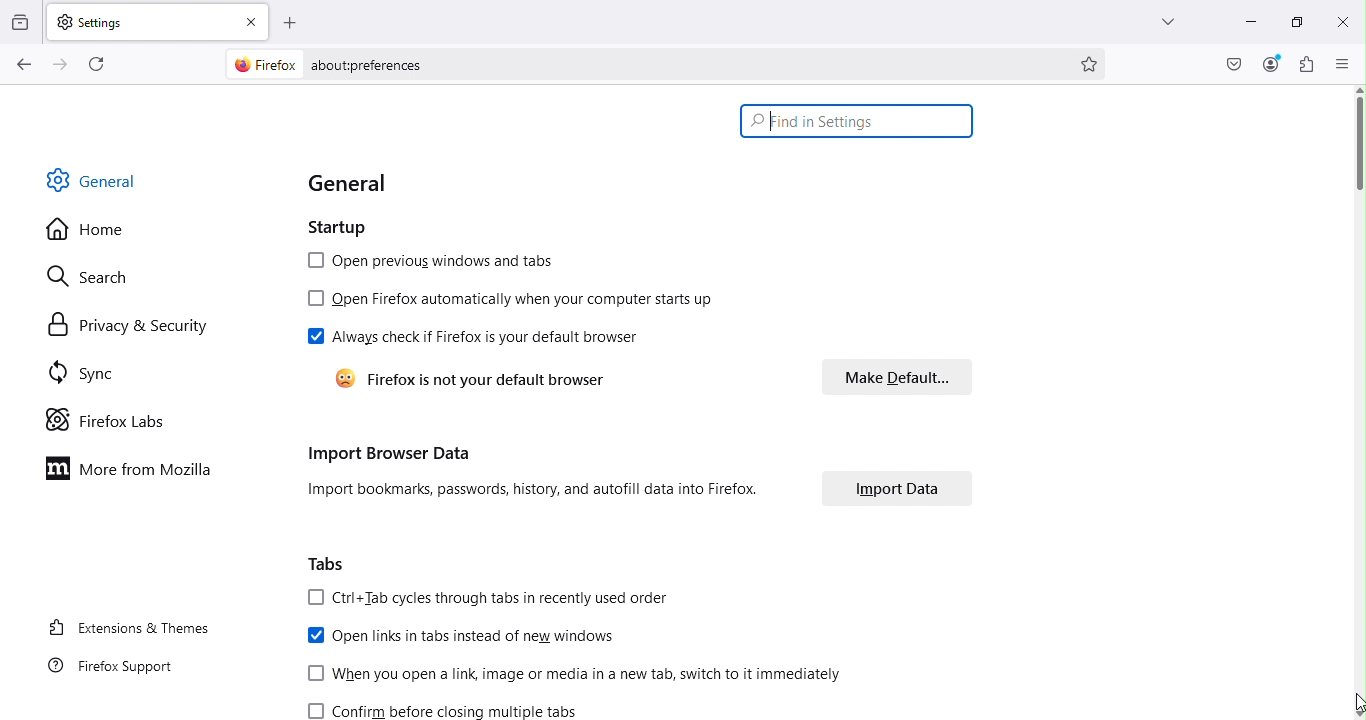  Describe the element at coordinates (1158, 19) in the screenshot. I see `List all tabs` at that location.